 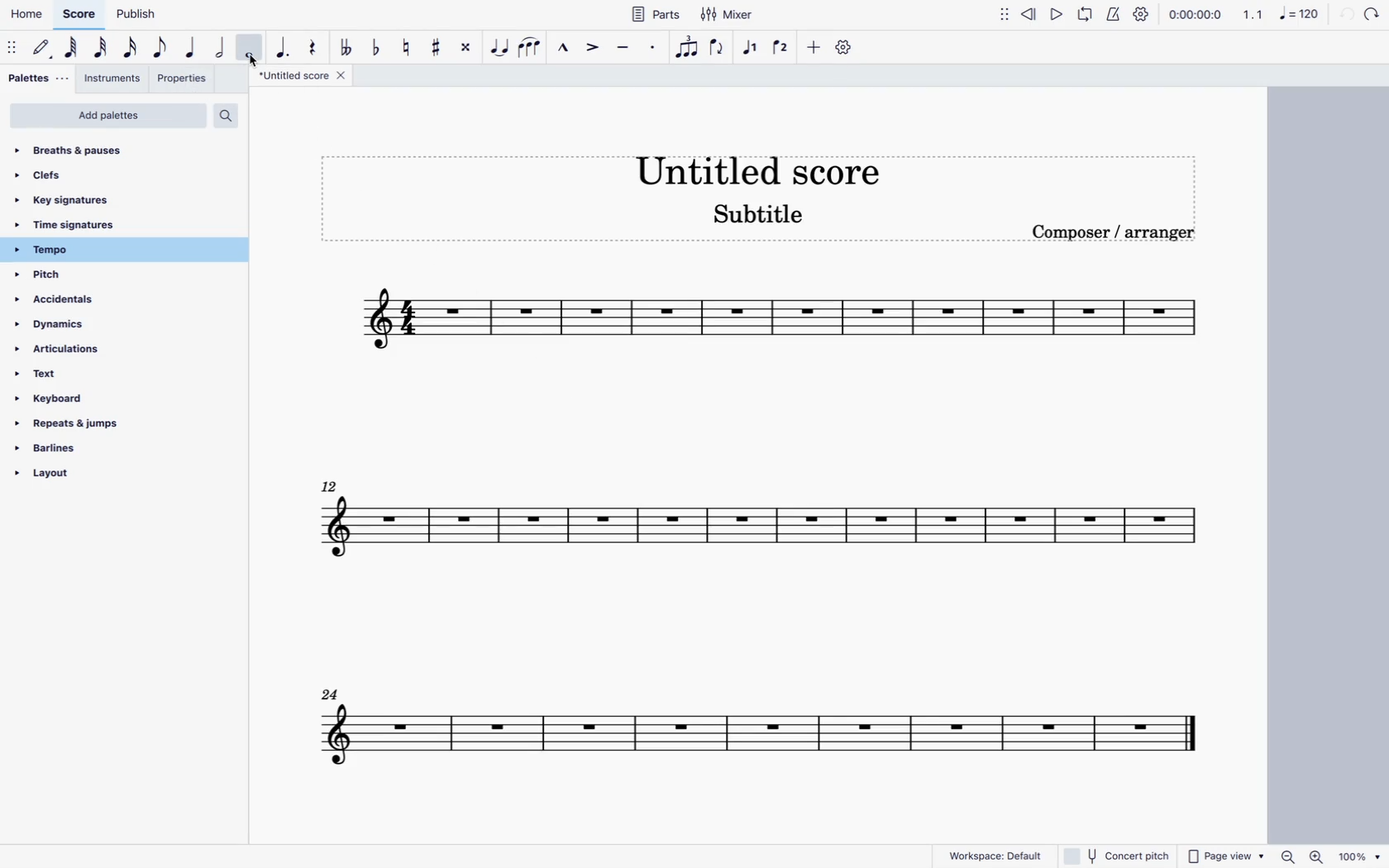 I want to click on double toggle flat, so click(x=347, y=48).